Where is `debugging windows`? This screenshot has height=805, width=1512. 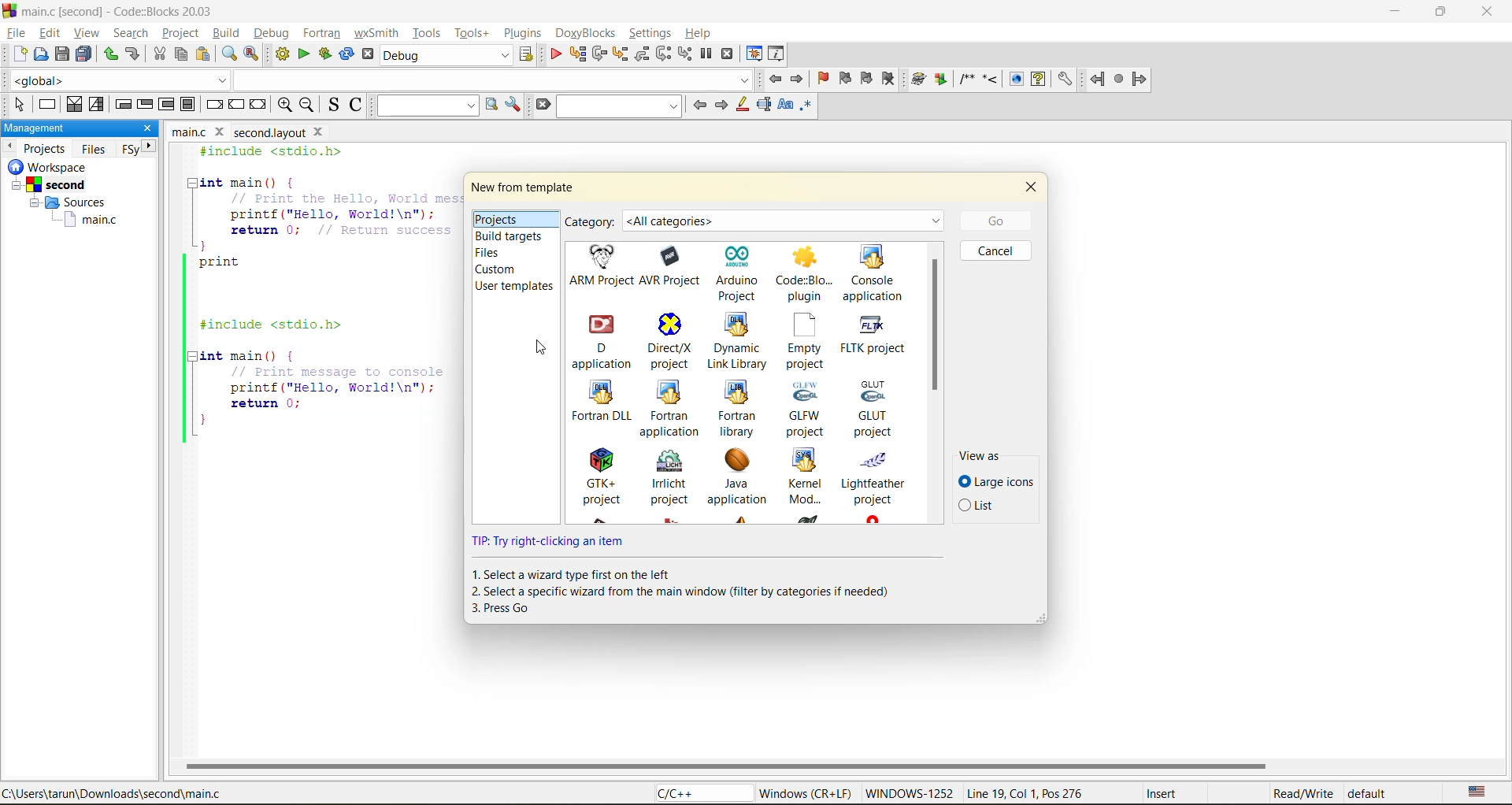 debugging windows is located at coordinates (754, 55).